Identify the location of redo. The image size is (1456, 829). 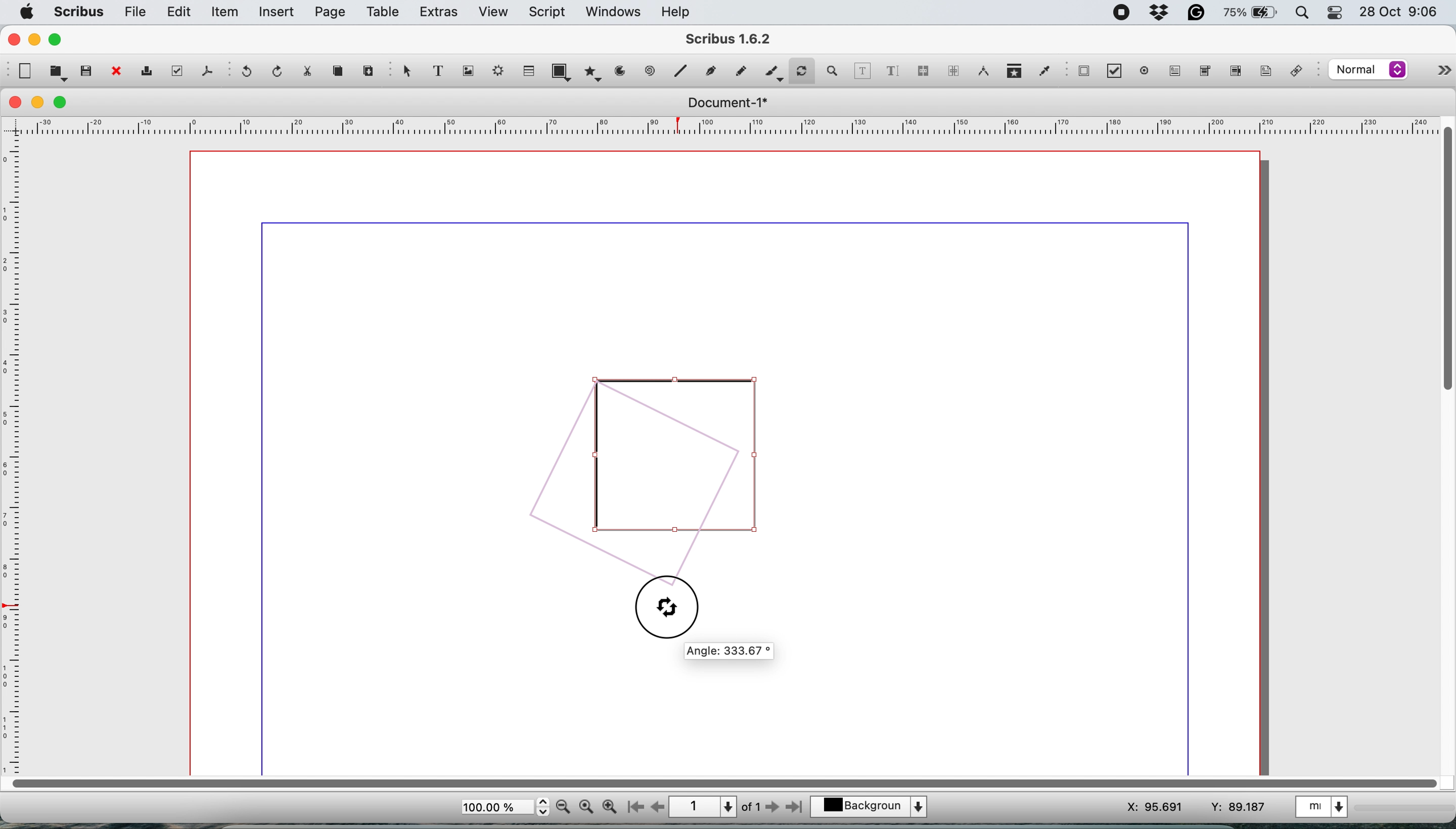
(279, 71).